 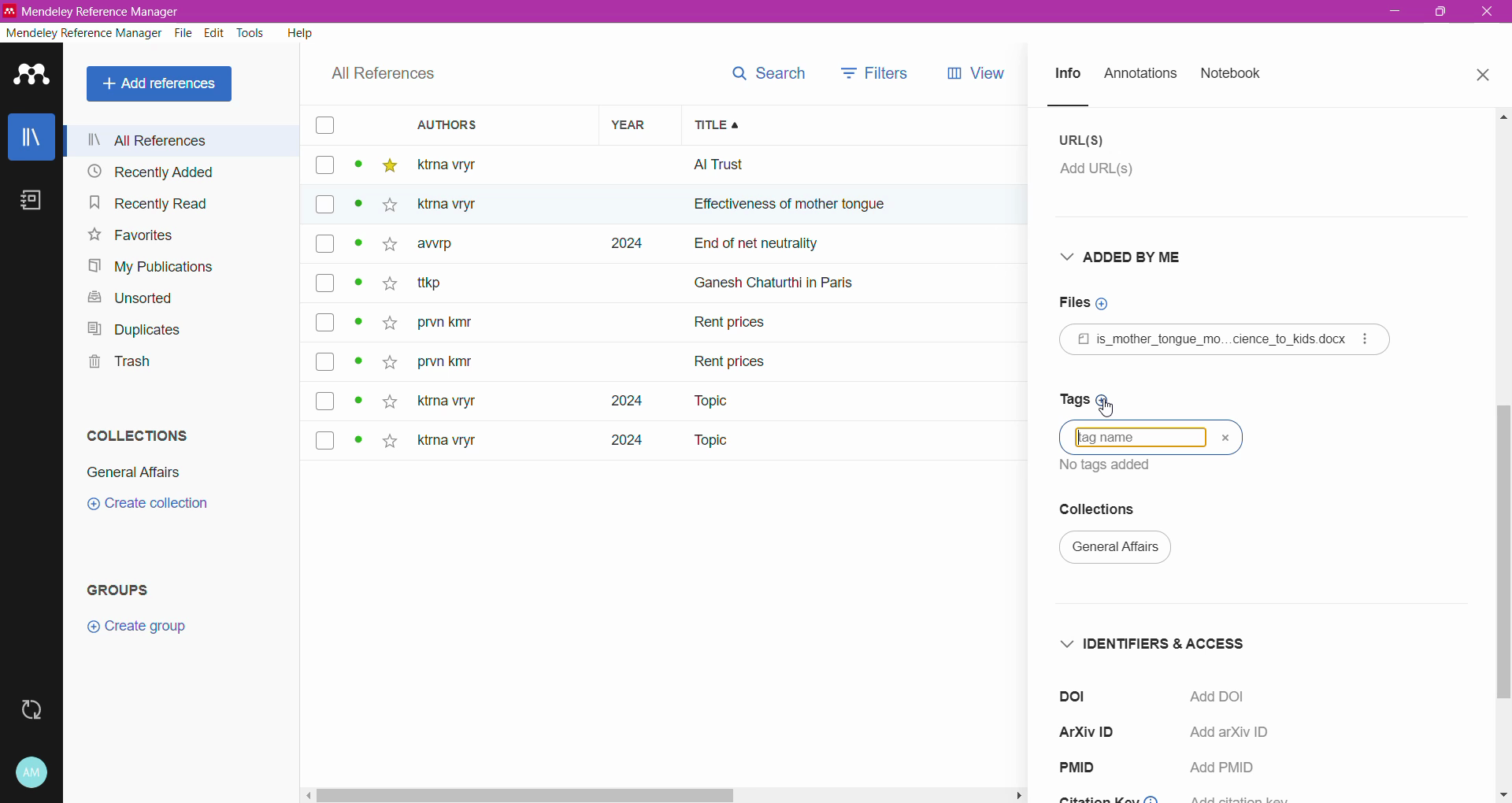 What do you see at coordinates (32, 76) in the screenshot?
I see `Application Logo` at bounding box center [32, 76].